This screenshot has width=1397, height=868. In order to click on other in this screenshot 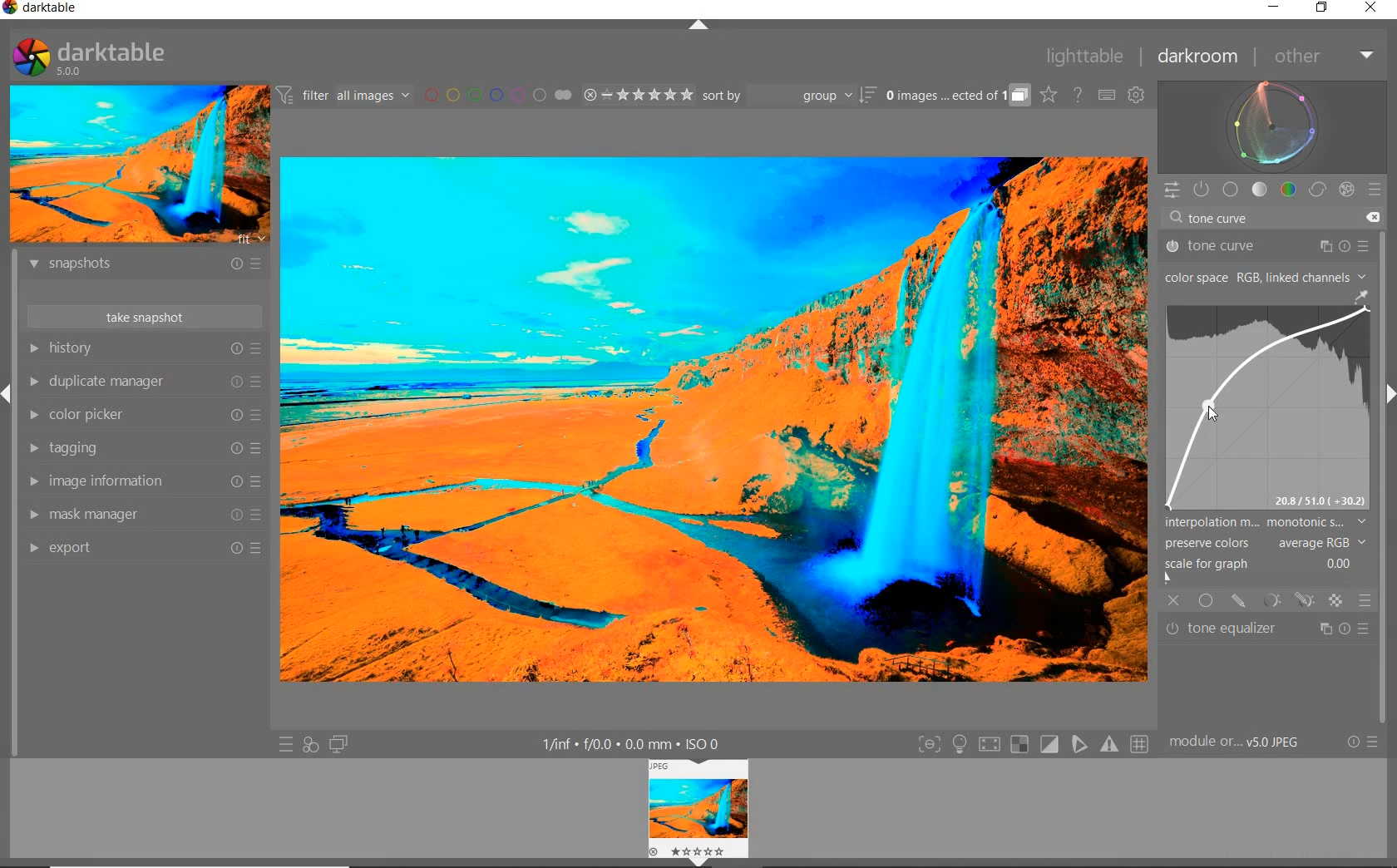, I will do `click(1320, 56)`.